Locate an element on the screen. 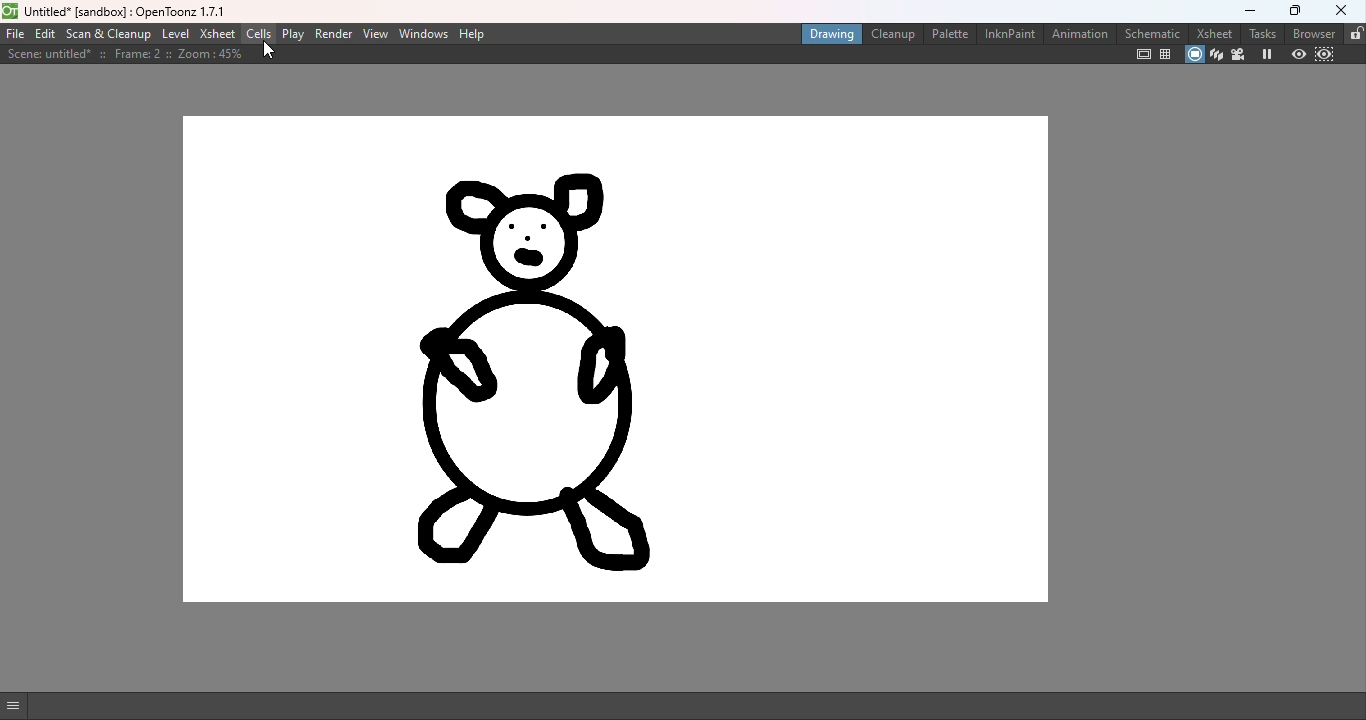 The height and width of the screenshot is (720, 1366). Scan & Cleanup is located at coordinates (110, 35).